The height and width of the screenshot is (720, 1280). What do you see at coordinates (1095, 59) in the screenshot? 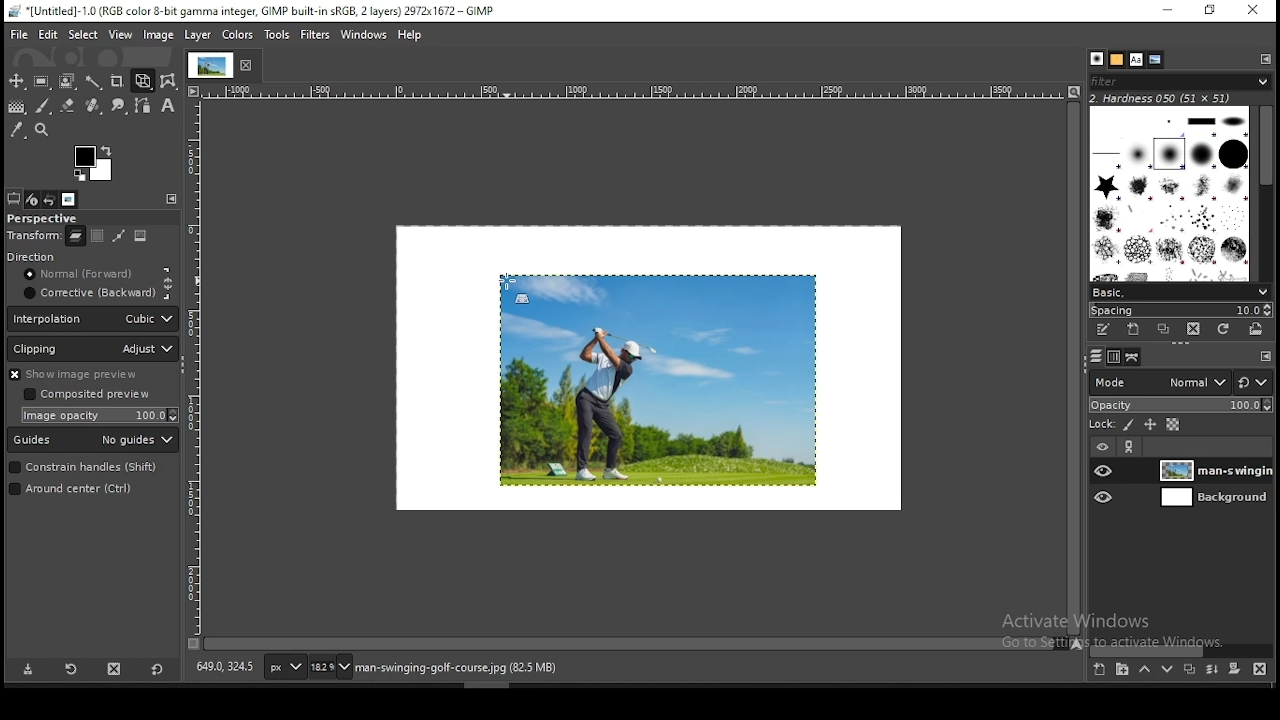
I see `brushes` at bounding box center [1095, 59].